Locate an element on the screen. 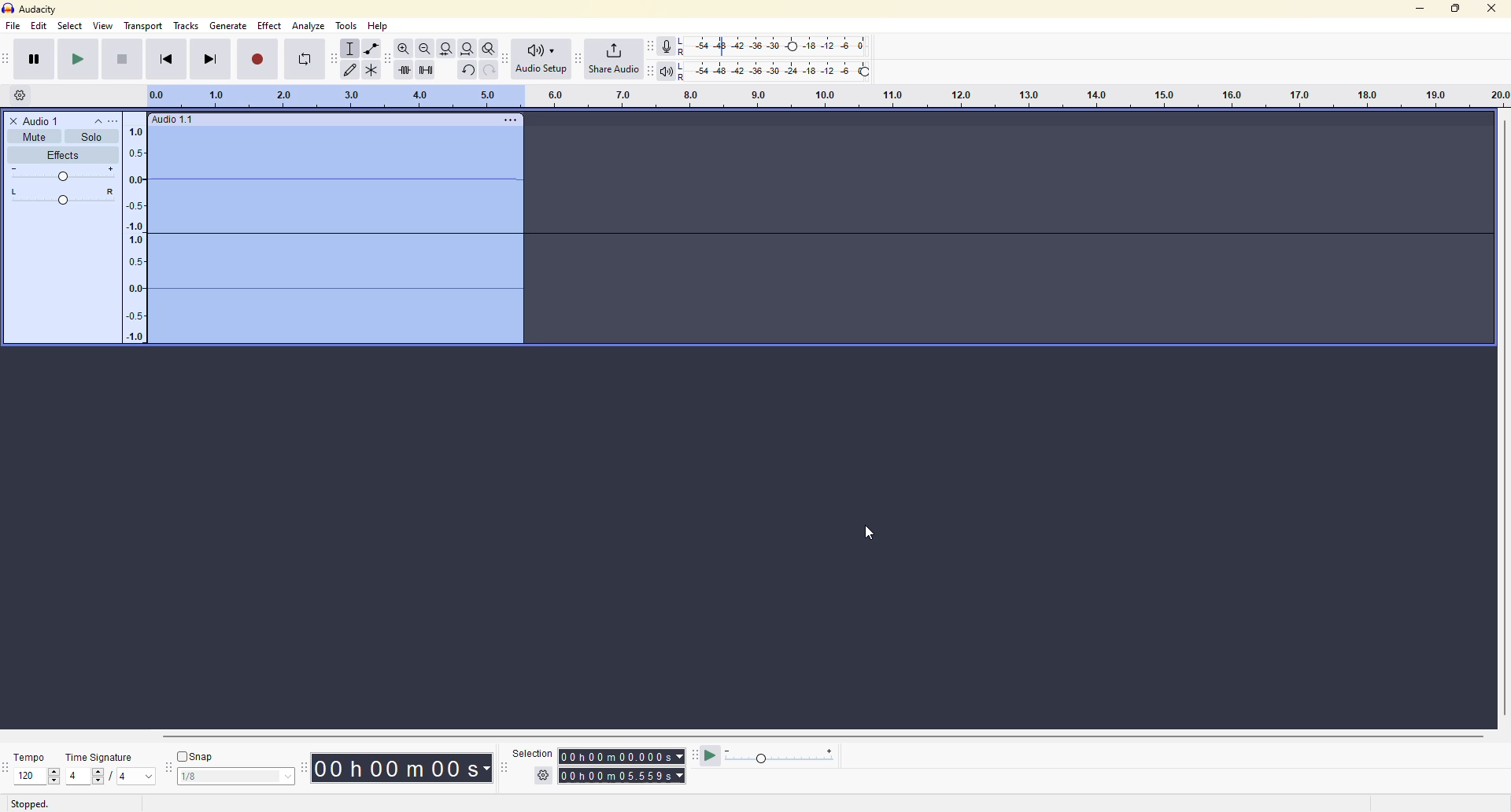 The width and height of the screenshot is (1511, 812). 1/8 is located at coordinates (203, 778).